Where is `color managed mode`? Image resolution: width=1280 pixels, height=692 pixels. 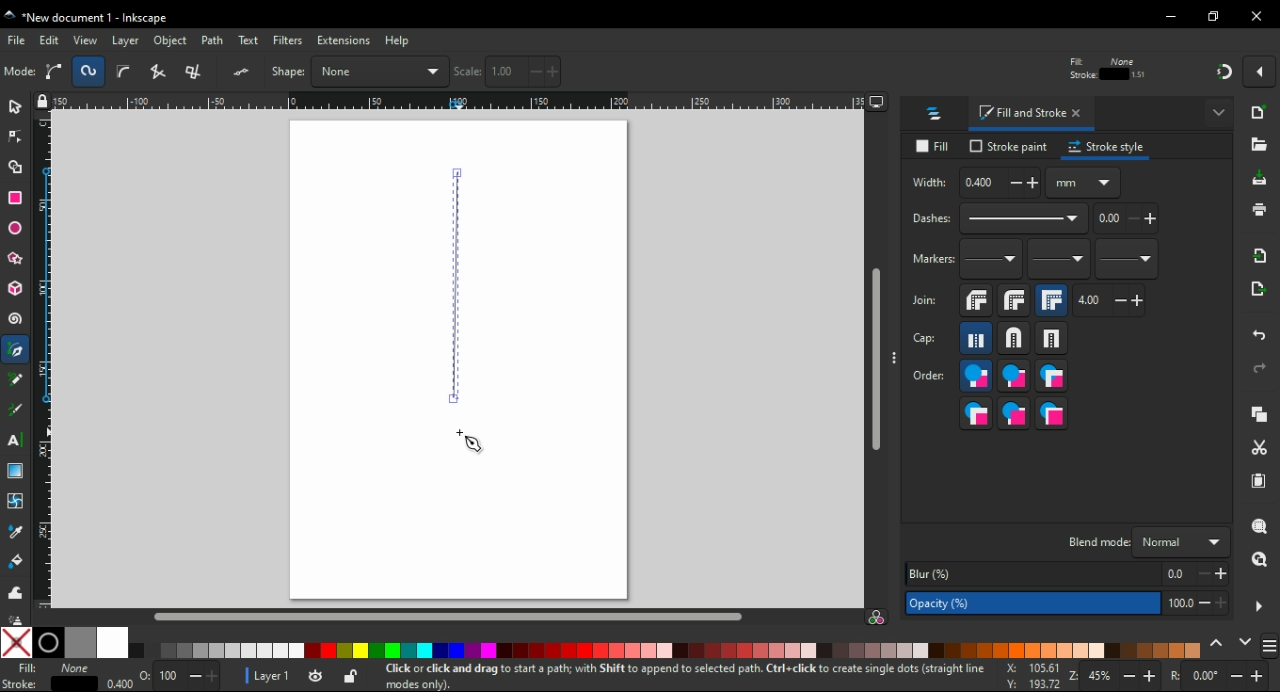 color managed mode is located at coordinates (876, 619).